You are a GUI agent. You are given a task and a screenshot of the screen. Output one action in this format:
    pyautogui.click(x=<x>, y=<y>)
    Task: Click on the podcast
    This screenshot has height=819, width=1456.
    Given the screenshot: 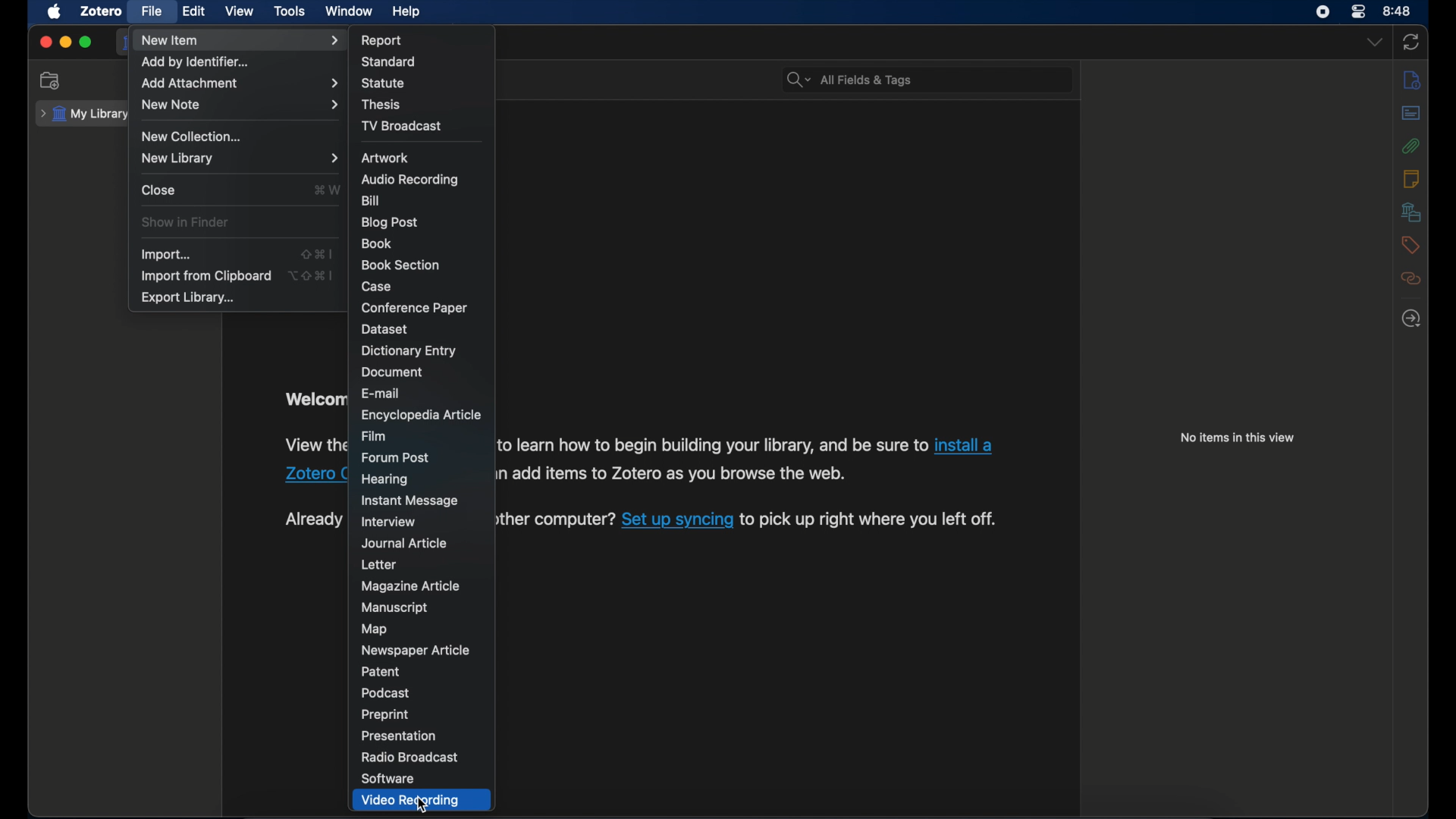 What is the action you would take?
    pyautogui.click(x=386, y=693)
    